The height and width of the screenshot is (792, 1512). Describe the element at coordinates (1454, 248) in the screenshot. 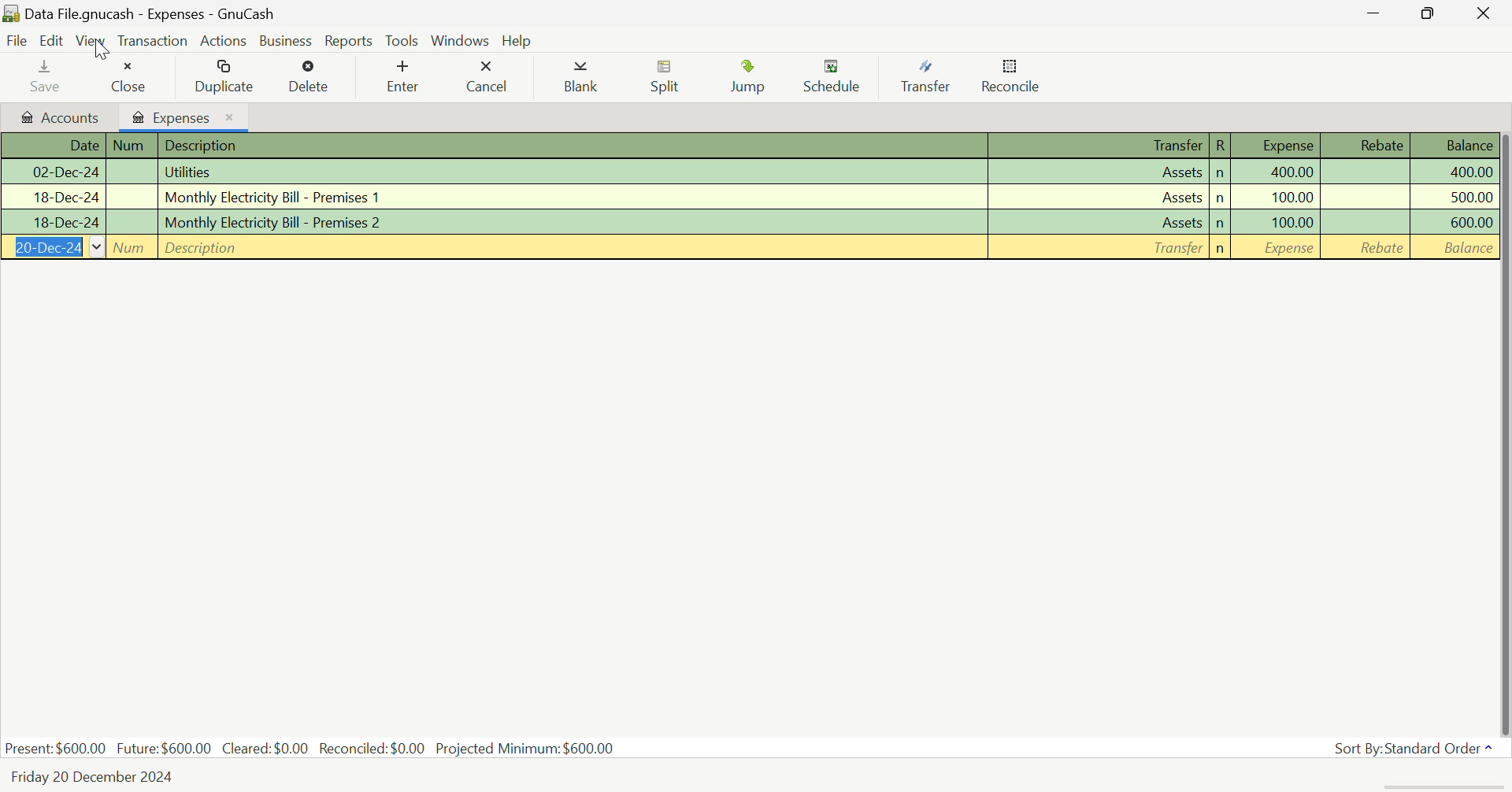

I see `Balance` at that location.